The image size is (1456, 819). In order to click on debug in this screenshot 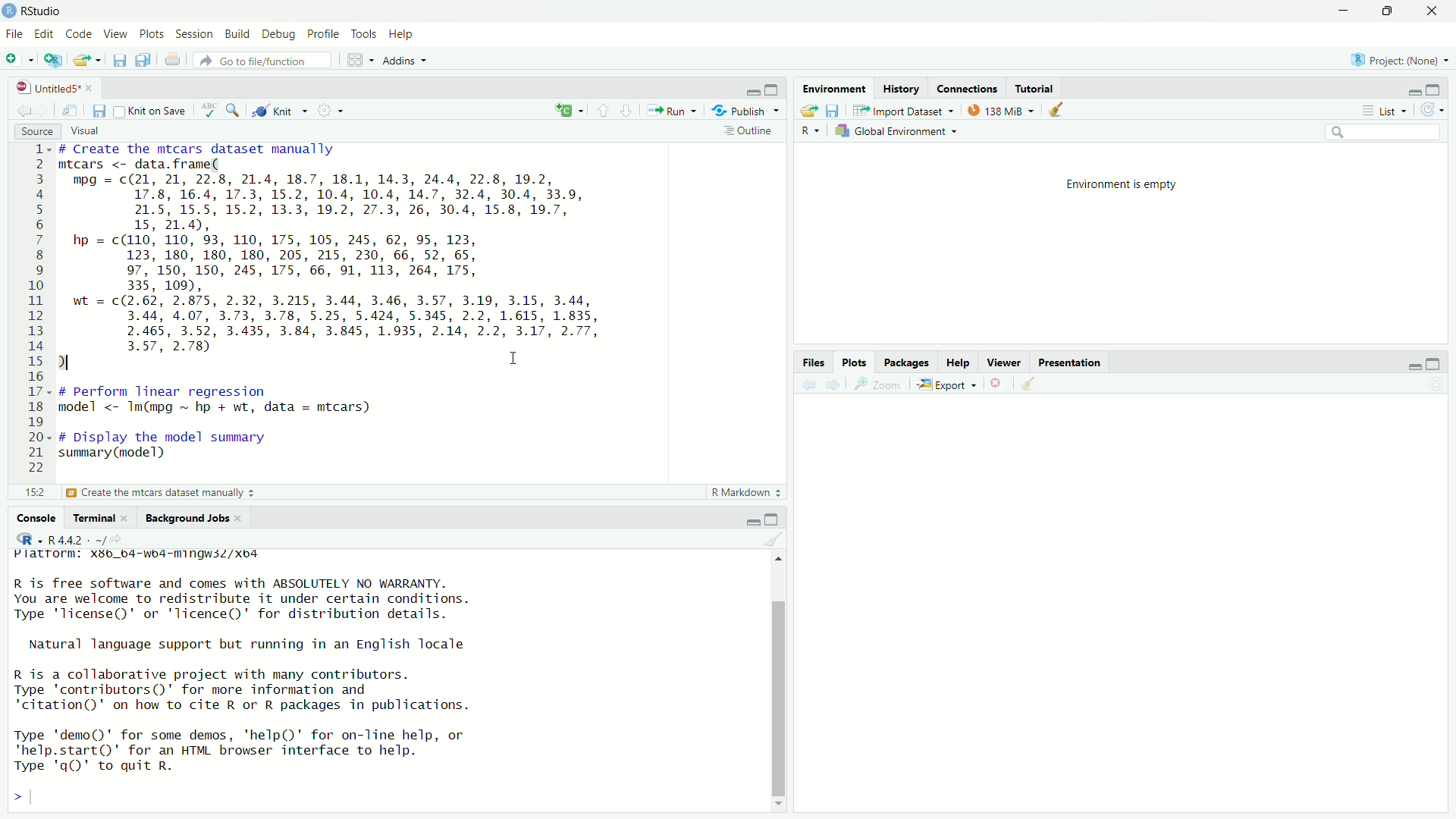, I will do `click(280, 34)`.